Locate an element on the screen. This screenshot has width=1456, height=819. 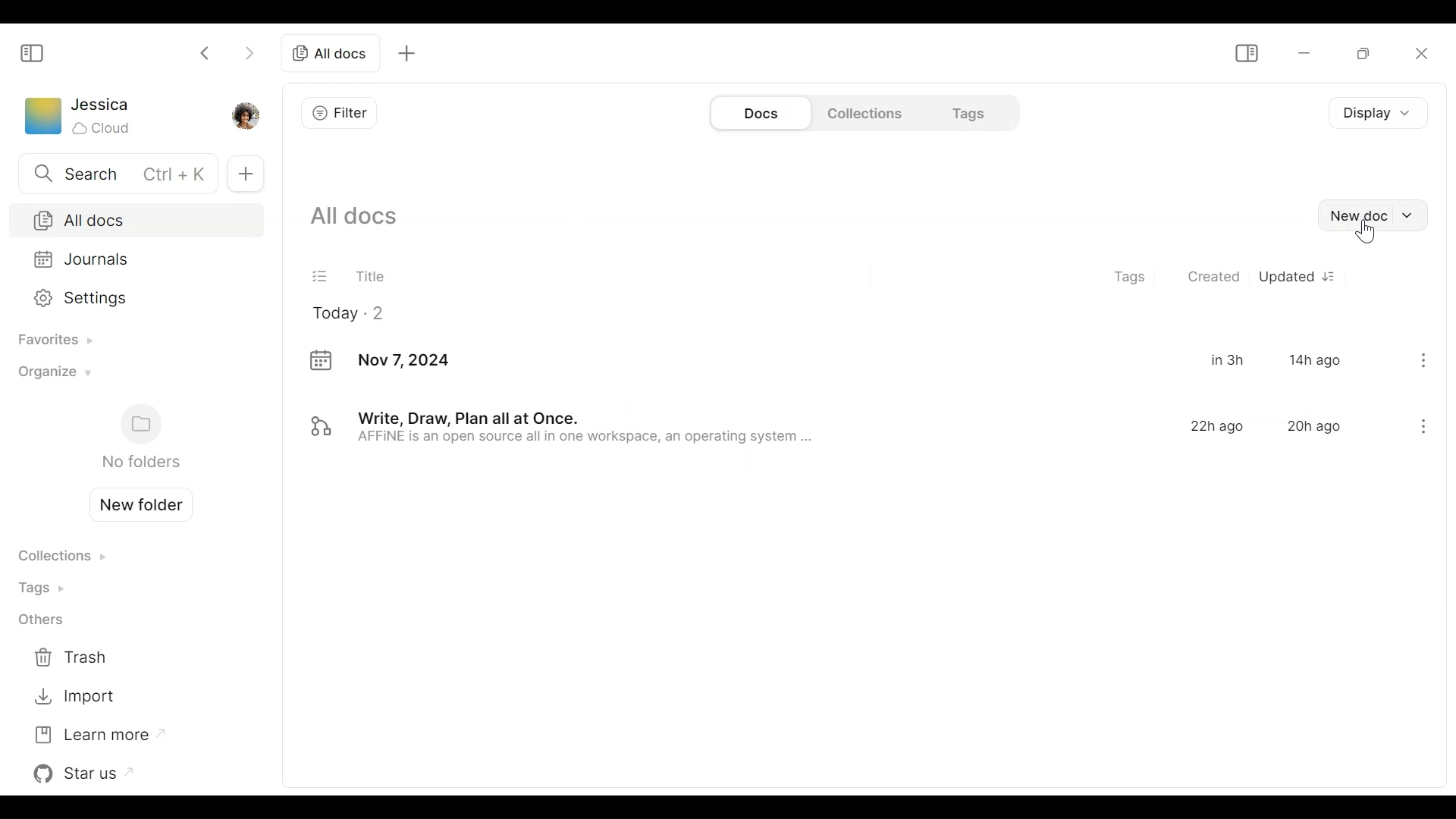
Current Tab is located at coordinates (331, 52).